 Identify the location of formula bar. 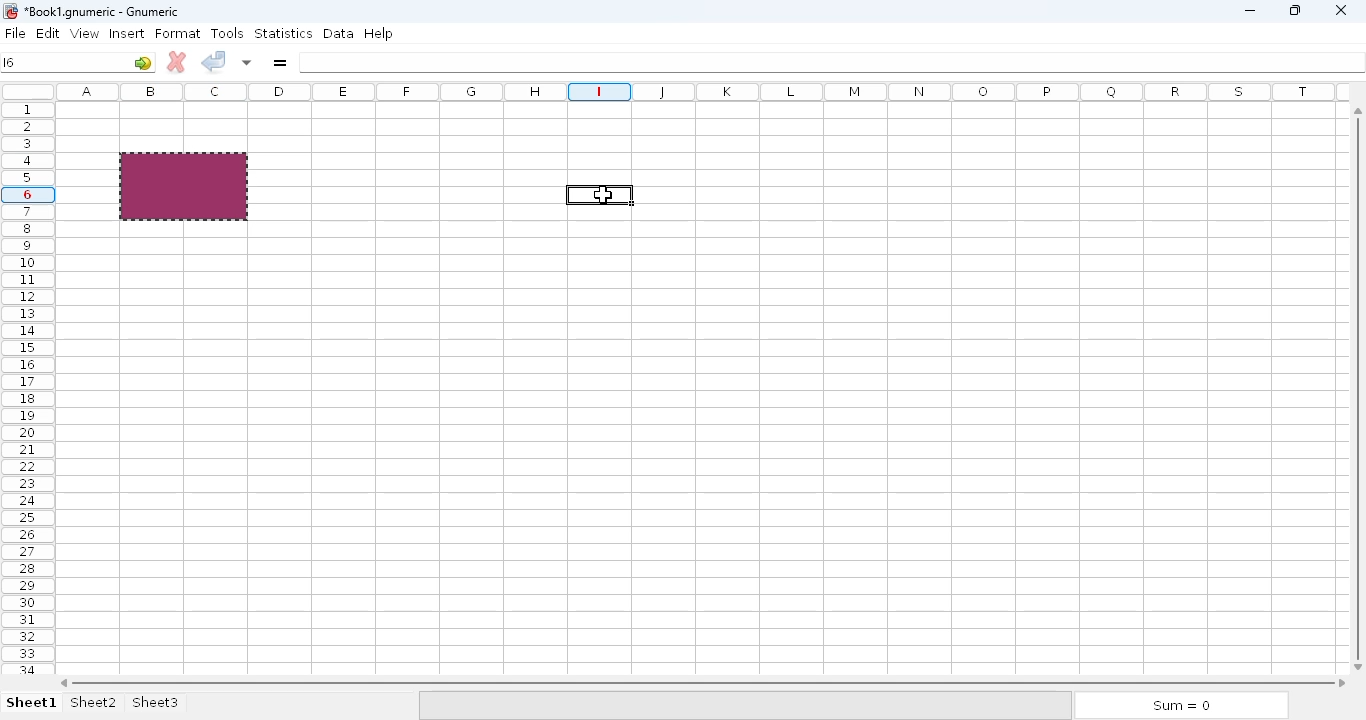
(832, 61).